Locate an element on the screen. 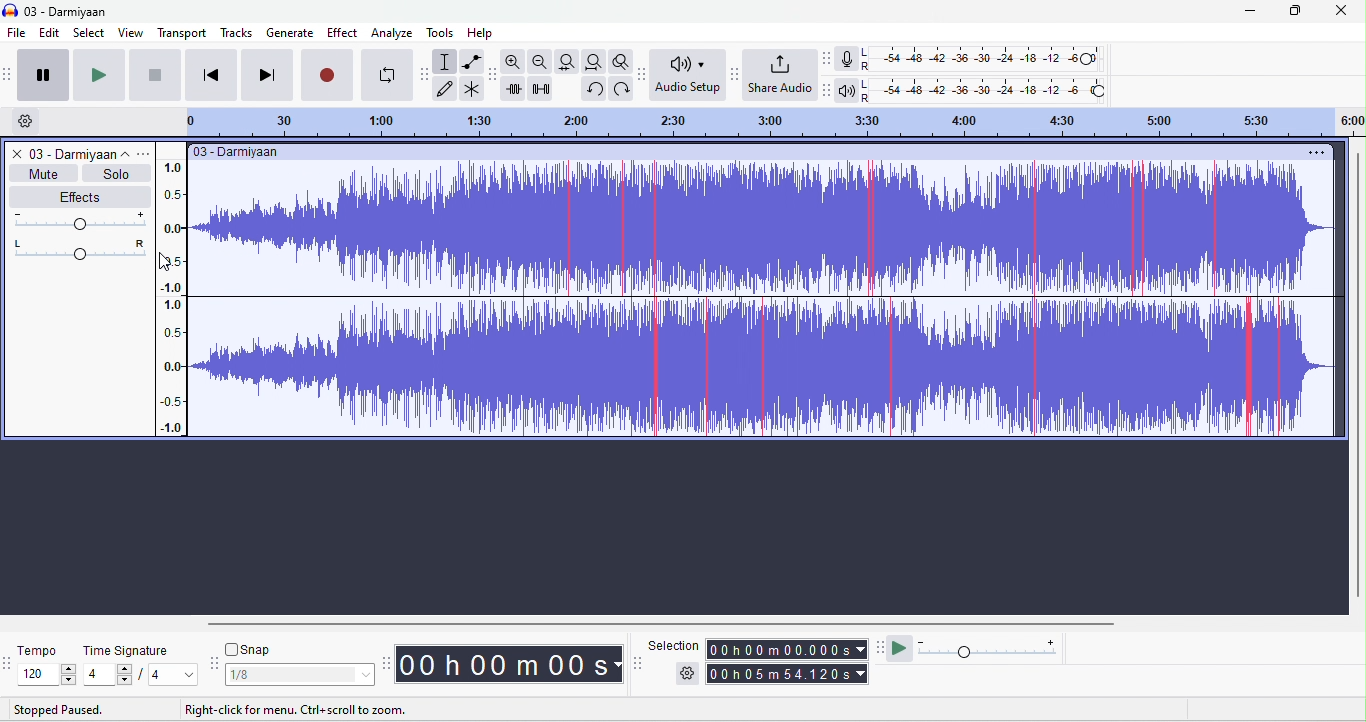 This screenshot has width=1366, height=722. tracks is located at coordinates (237, 33).